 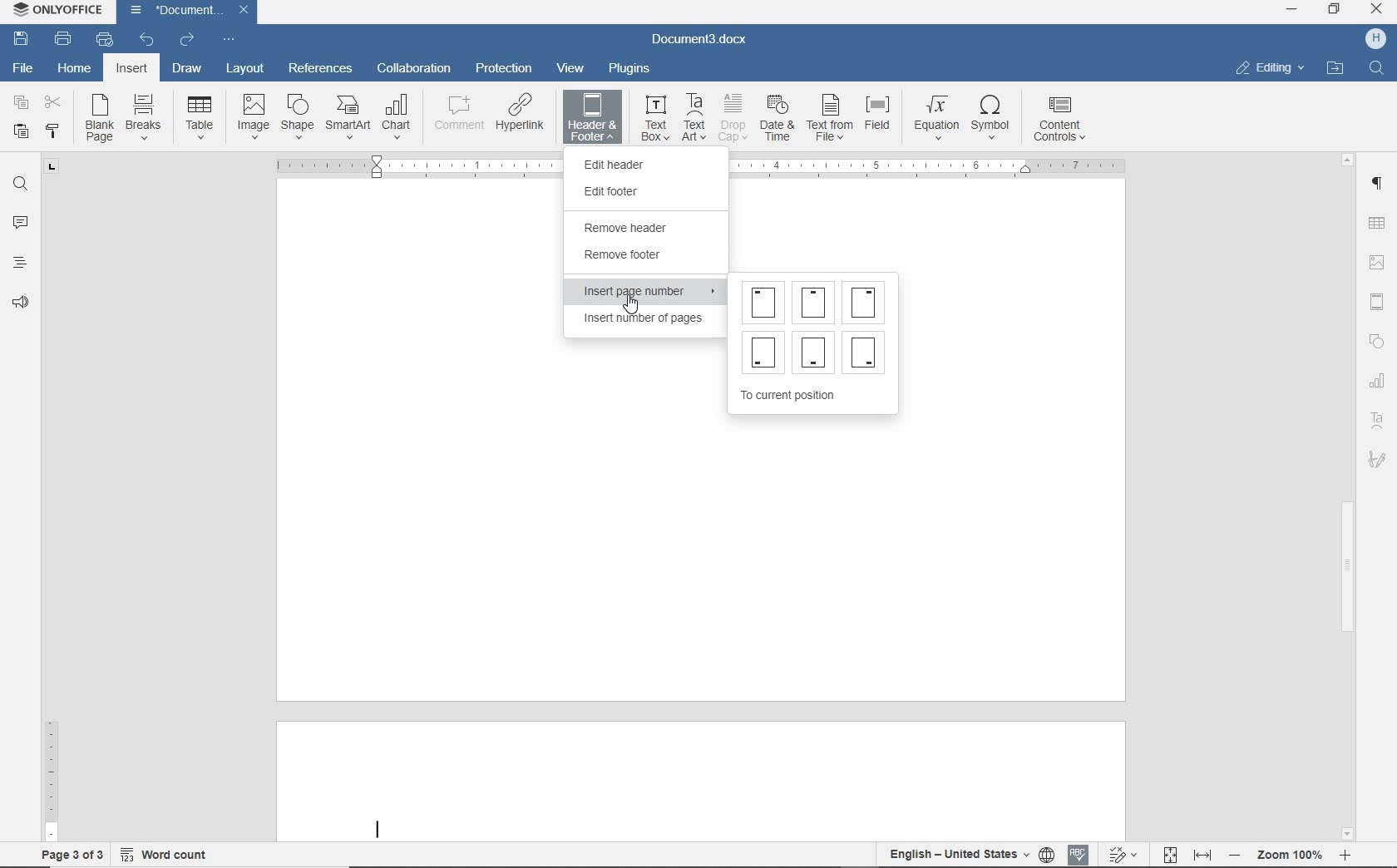 What do you see at coordinates (64, 39) in the screenshot?
I see `PRINT` at bounding box center [64, 39].